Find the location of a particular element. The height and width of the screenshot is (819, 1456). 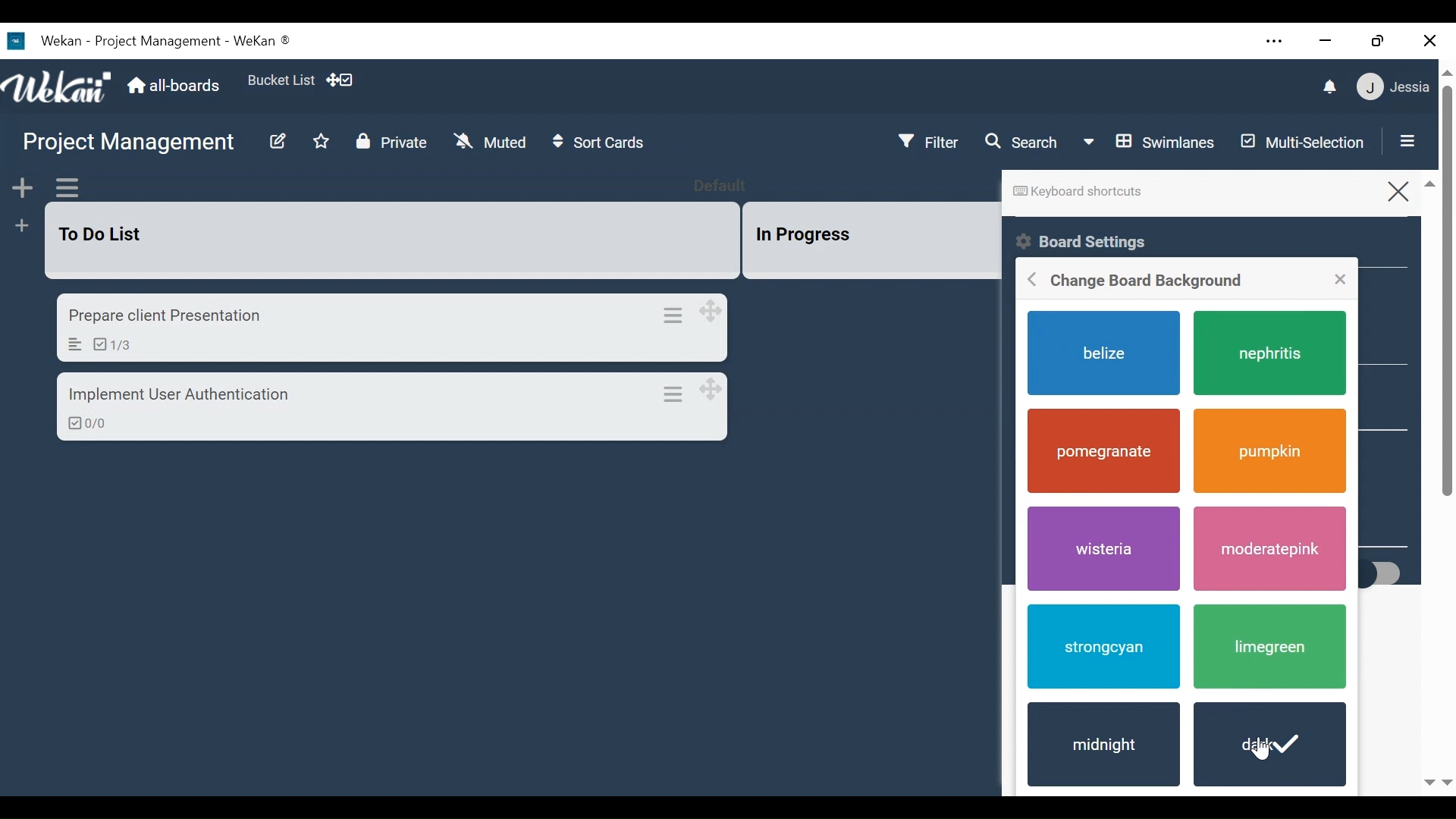

limegreen is located at coordinates (1270, 649).